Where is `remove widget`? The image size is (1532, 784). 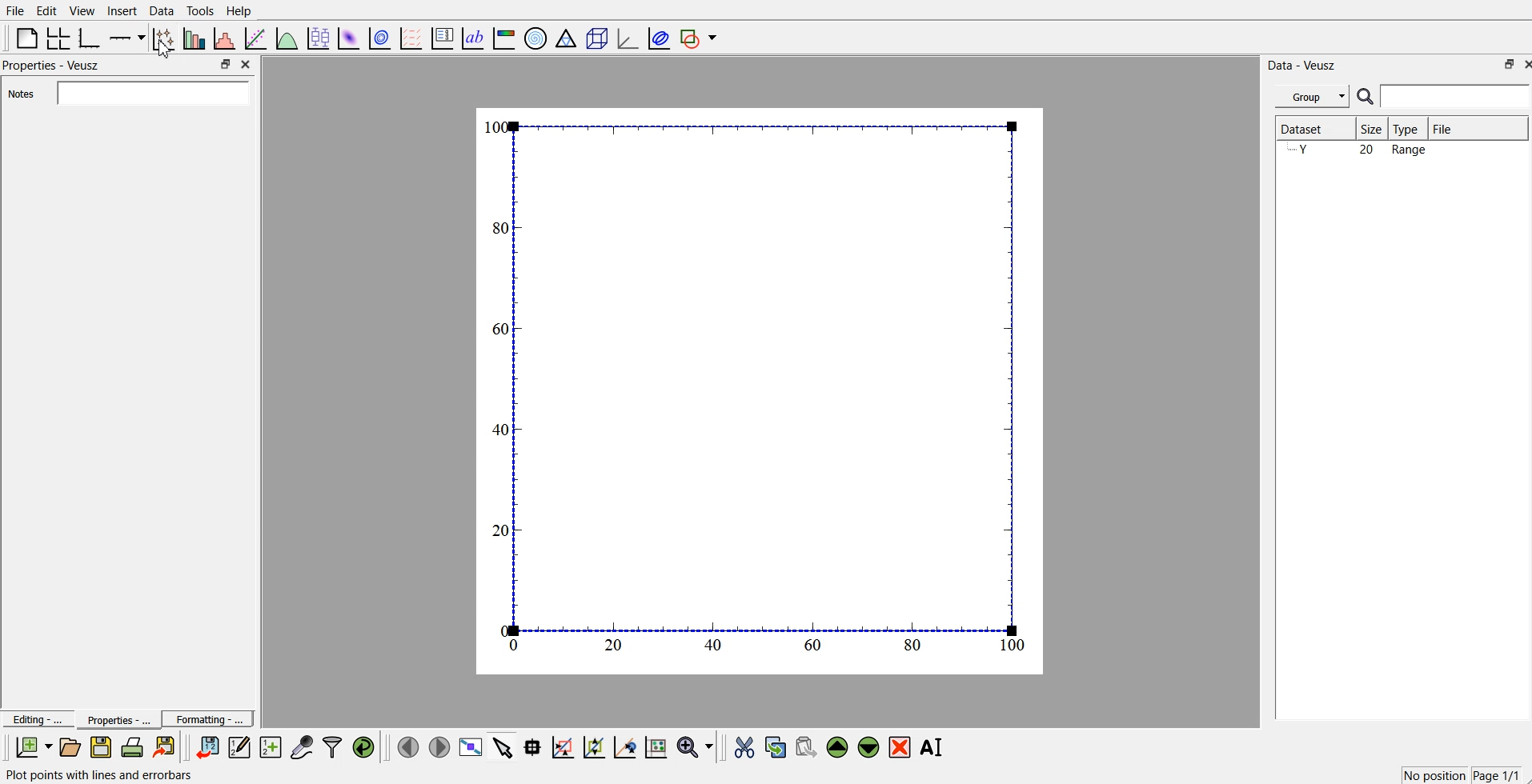
remove widget is located at coordinates (900, 746).